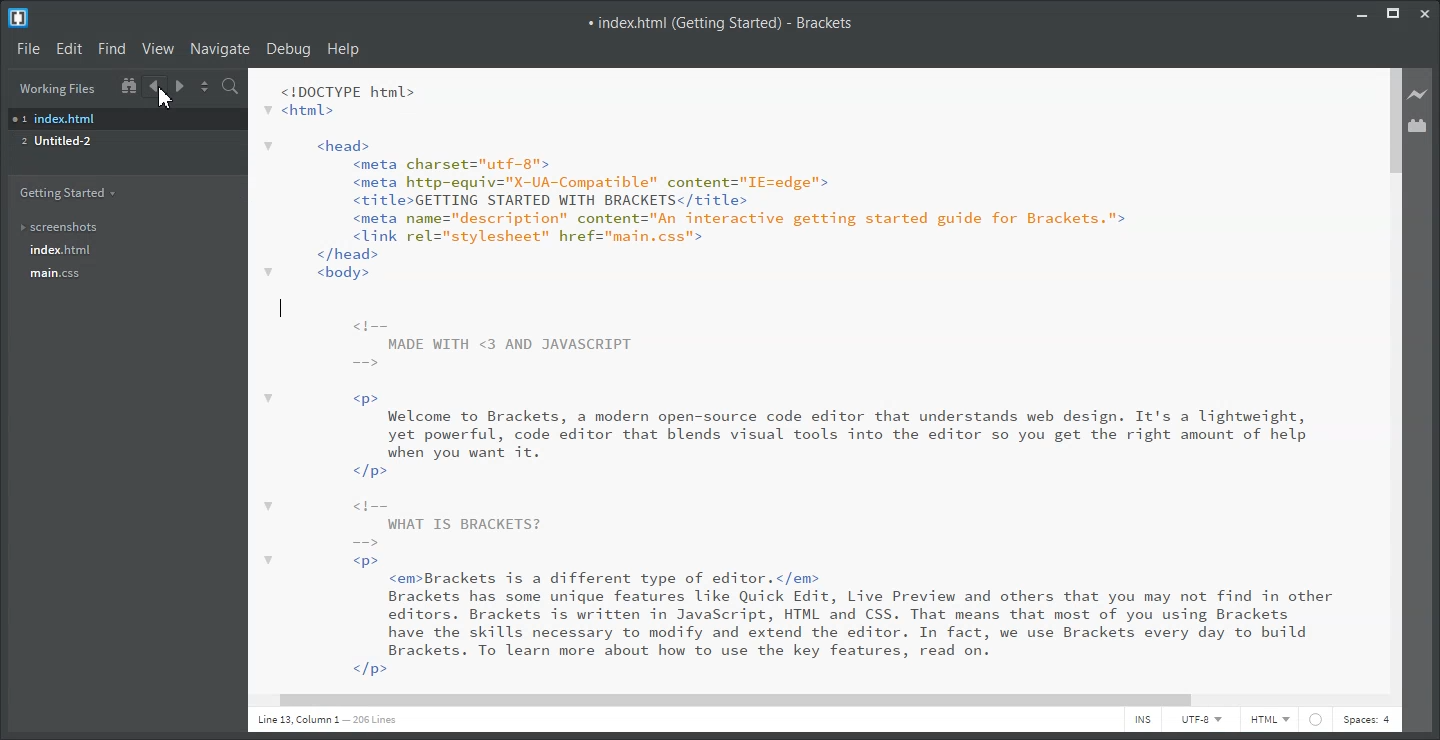 Image resolution: width=1440 pixels, height=740 pixels. Describe the element at coordinates (231, 87) in the screenshot. I see `Find in Files` at that location.